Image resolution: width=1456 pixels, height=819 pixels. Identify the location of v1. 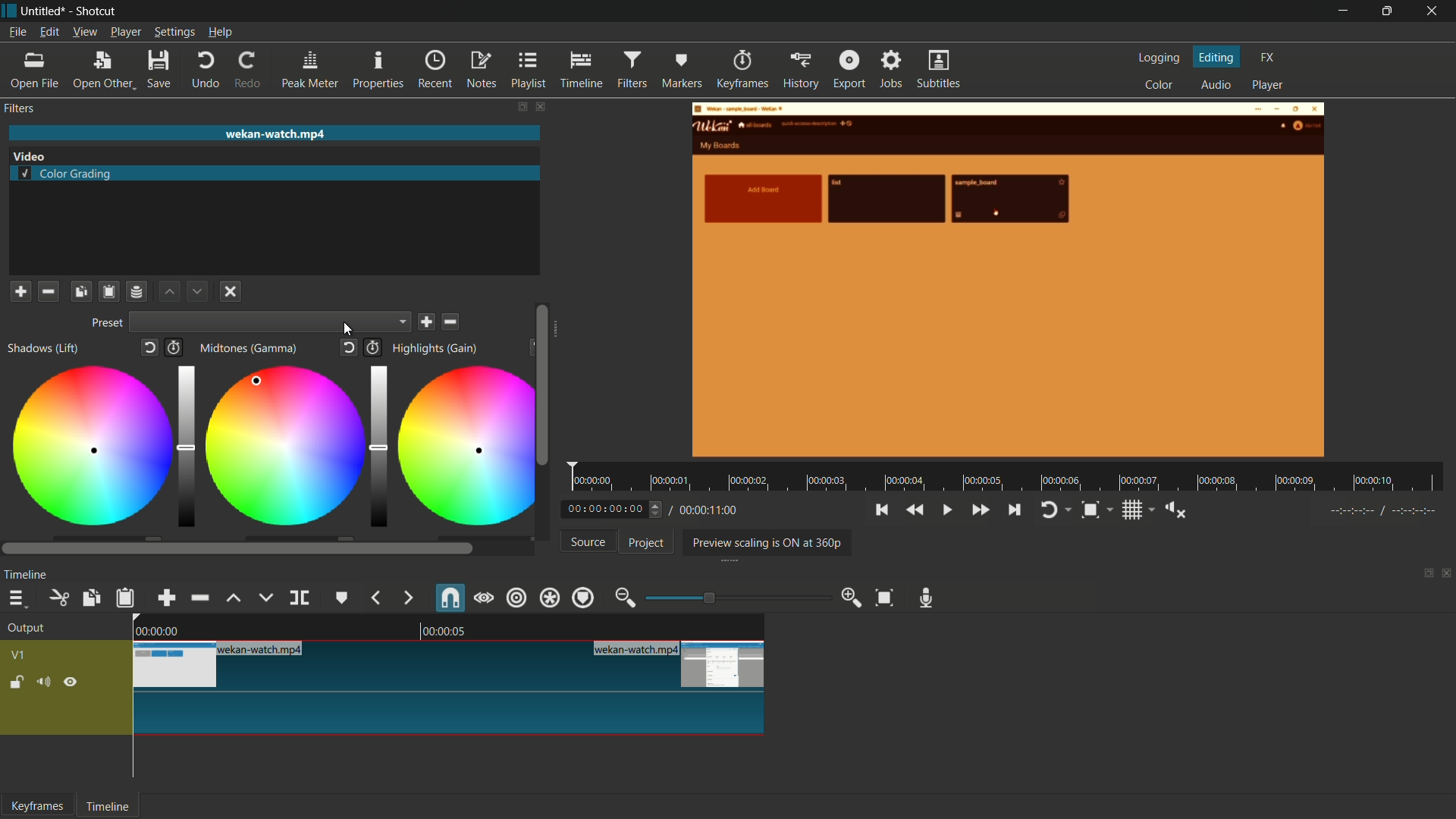
(19, 655).